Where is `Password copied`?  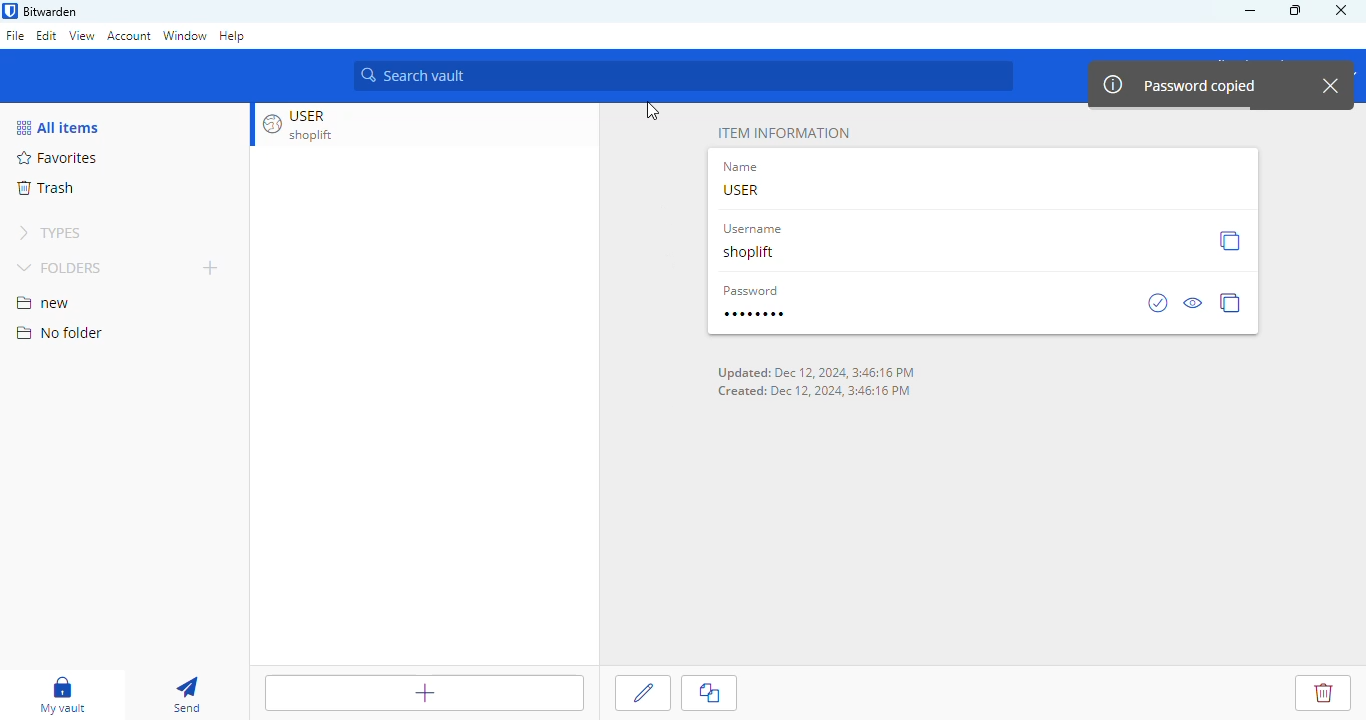
Password copied is located at coordinates (1181, 85).